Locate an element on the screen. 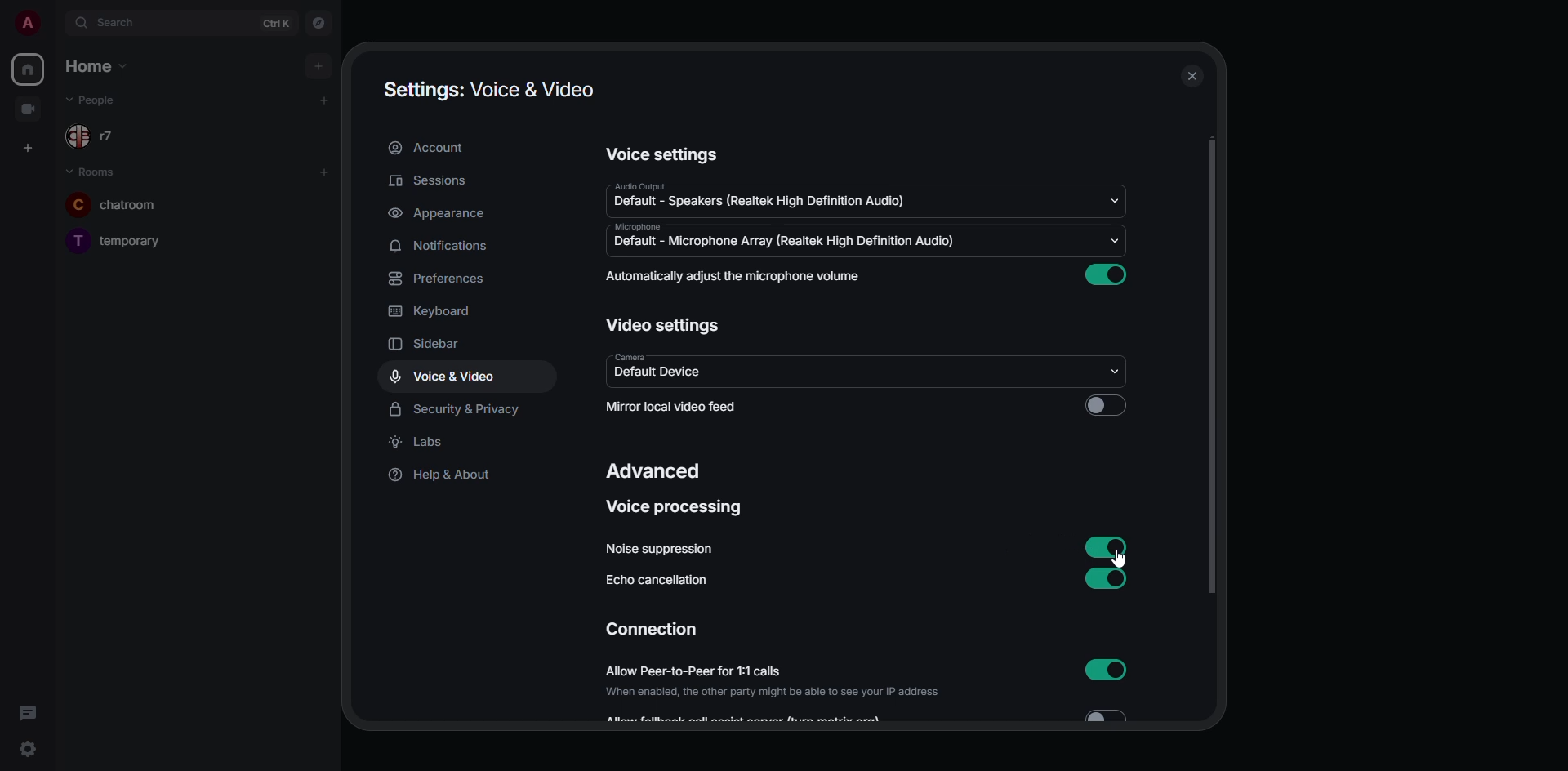 The image size is (1568, 771). echo cancellation is located at coordinates (654, 581).